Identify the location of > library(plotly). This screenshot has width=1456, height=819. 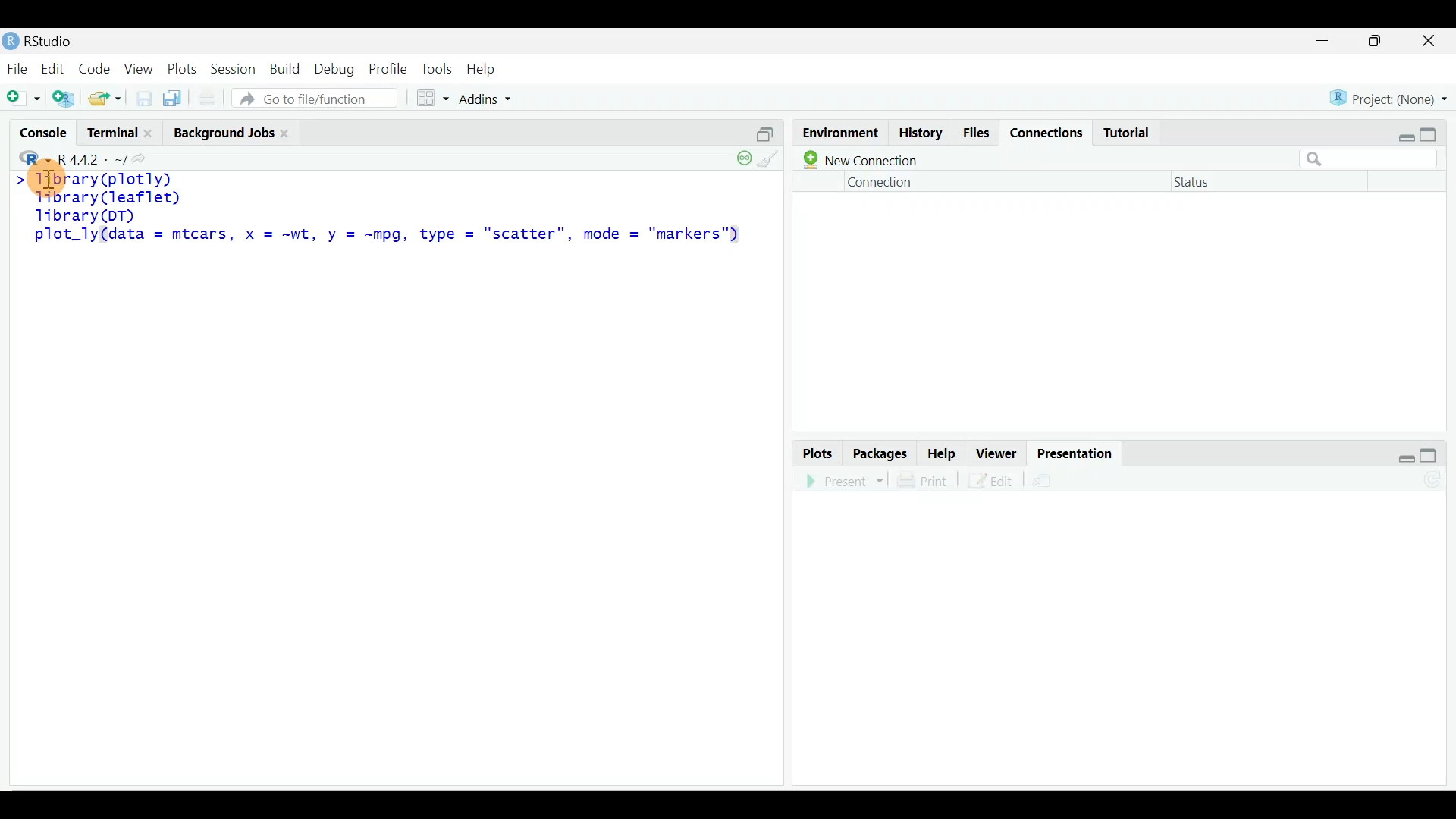
(113, 177).